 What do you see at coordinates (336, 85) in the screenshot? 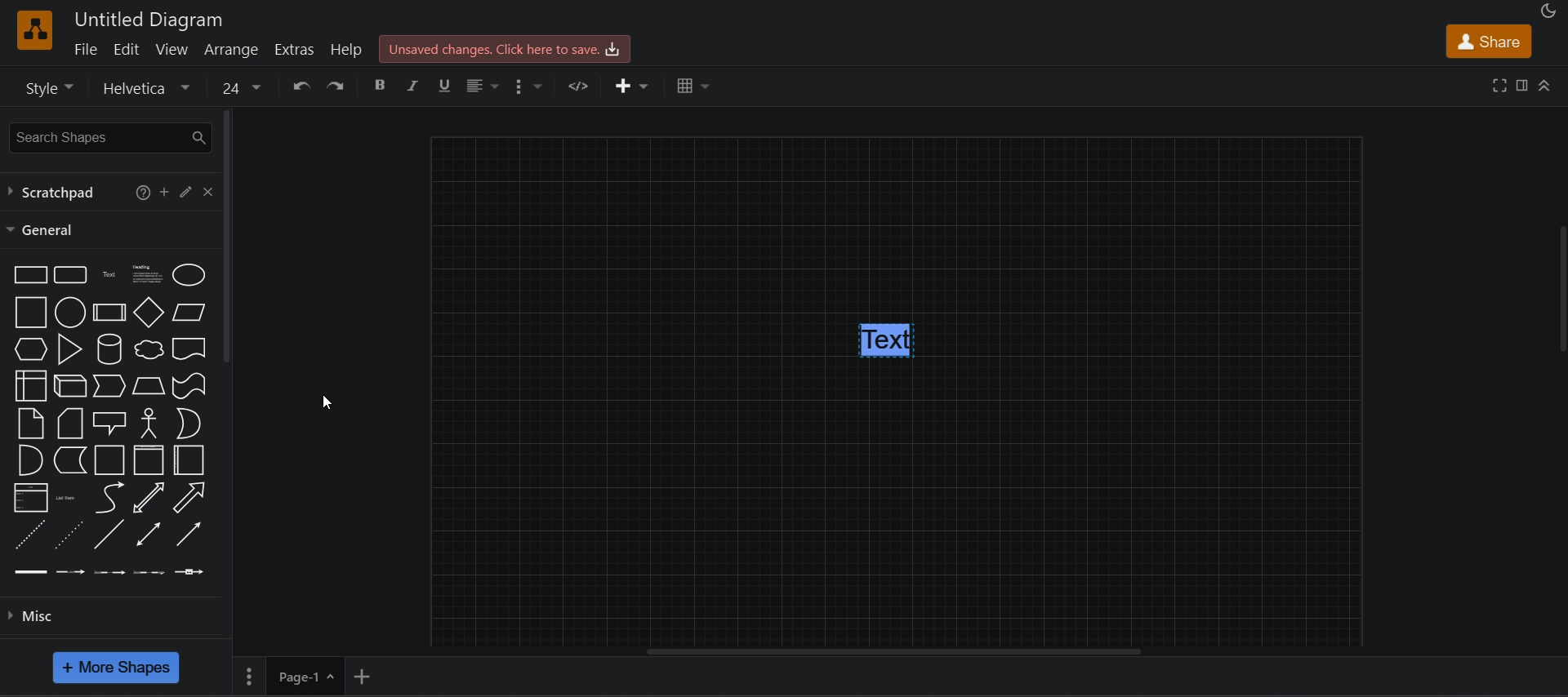
I see `redo` at bounding box center [336, 85].